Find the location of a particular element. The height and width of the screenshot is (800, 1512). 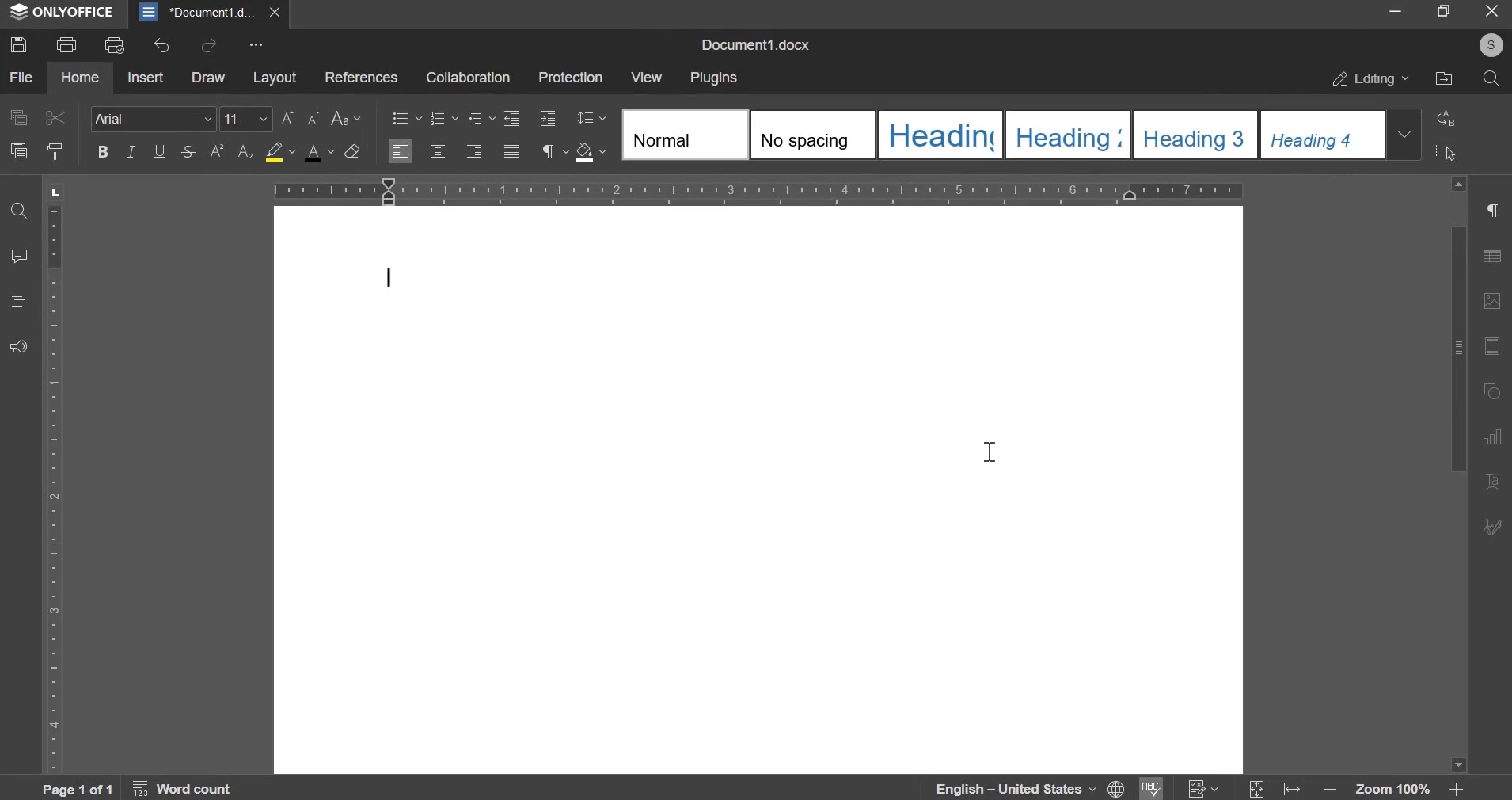

Stretch  is located at coordinates (1292, 789).